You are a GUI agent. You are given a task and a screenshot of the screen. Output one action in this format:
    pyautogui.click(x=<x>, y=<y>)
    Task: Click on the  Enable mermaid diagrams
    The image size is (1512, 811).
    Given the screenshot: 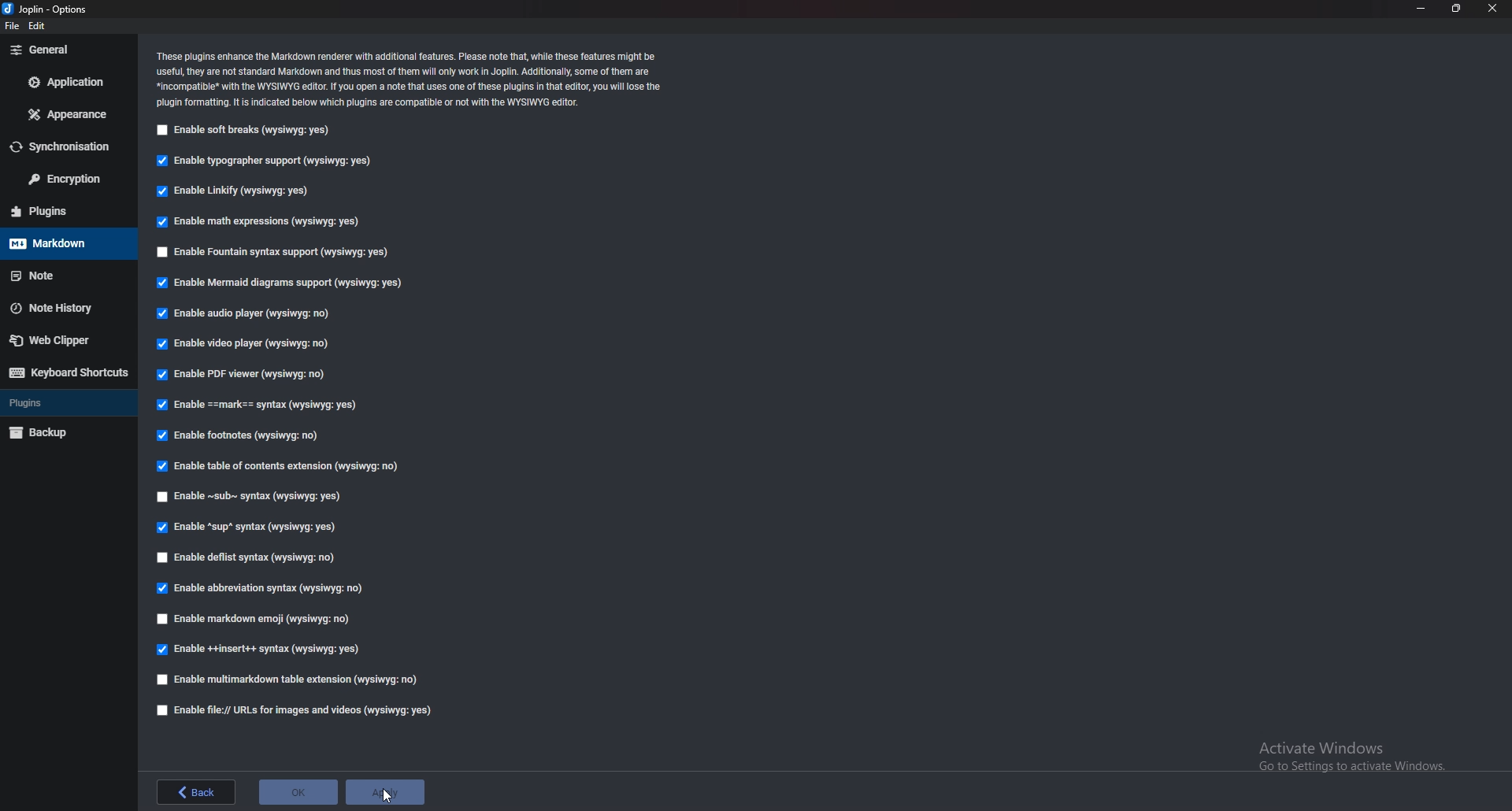 What is the action you would take?
    pyautogui.click(x=283, y=283)
    